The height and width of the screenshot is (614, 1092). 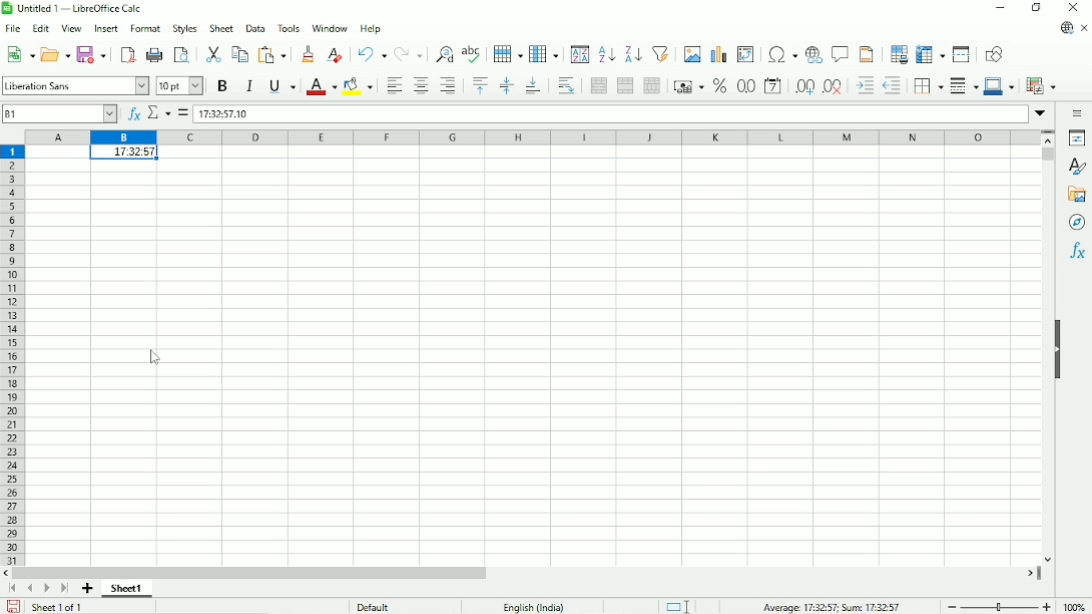 What do you see at coordinates (254, 27) in the screenshot?
I see `Data` at bounding box center [254, 27].